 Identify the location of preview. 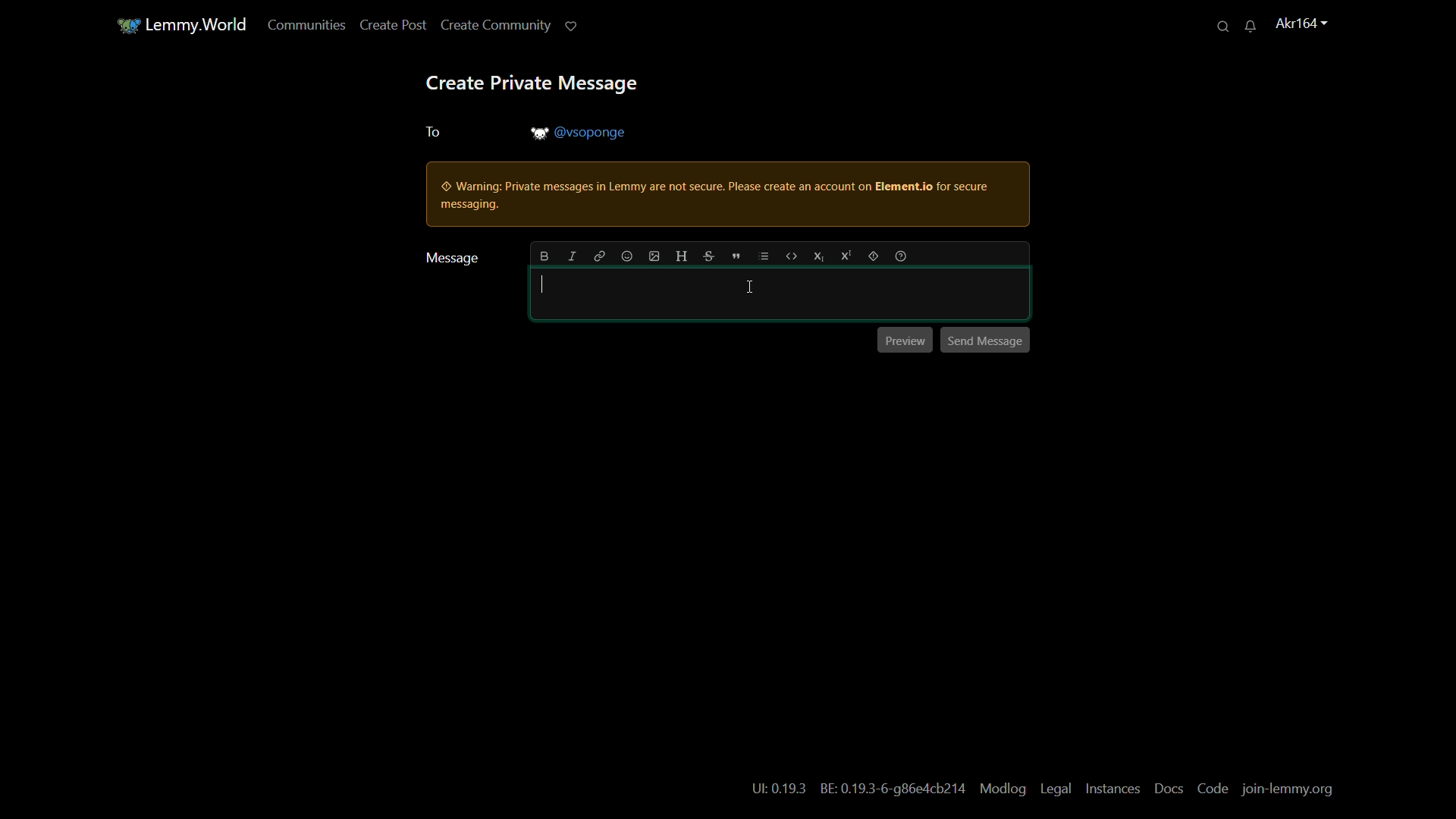
(903, 340).